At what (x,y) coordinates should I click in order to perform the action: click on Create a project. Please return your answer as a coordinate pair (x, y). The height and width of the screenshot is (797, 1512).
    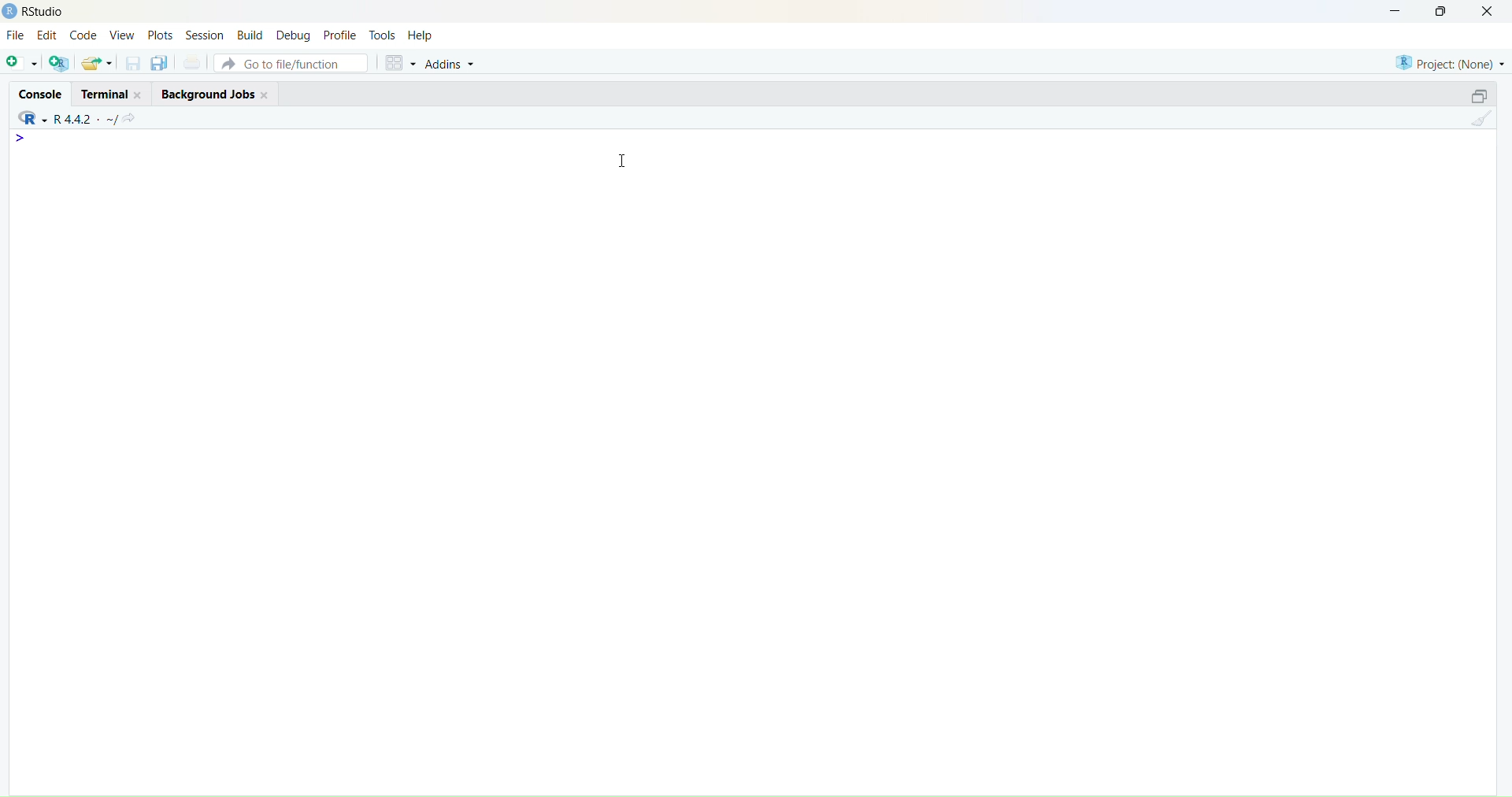
    Looking at the image, I should click on (59, 63).